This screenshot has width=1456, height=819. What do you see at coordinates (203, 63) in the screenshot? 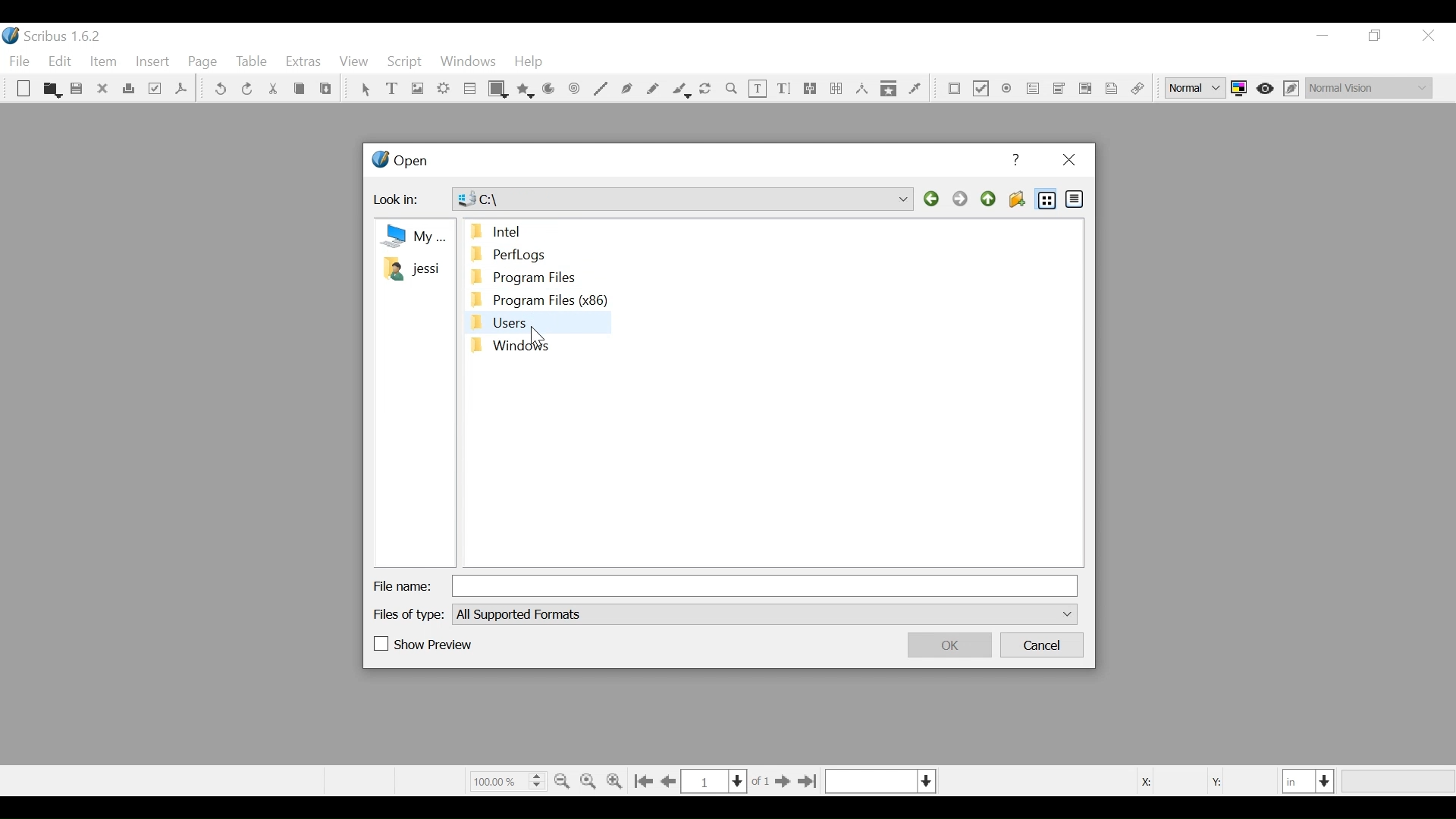
I see `Page` at bounding box center [203, 63].